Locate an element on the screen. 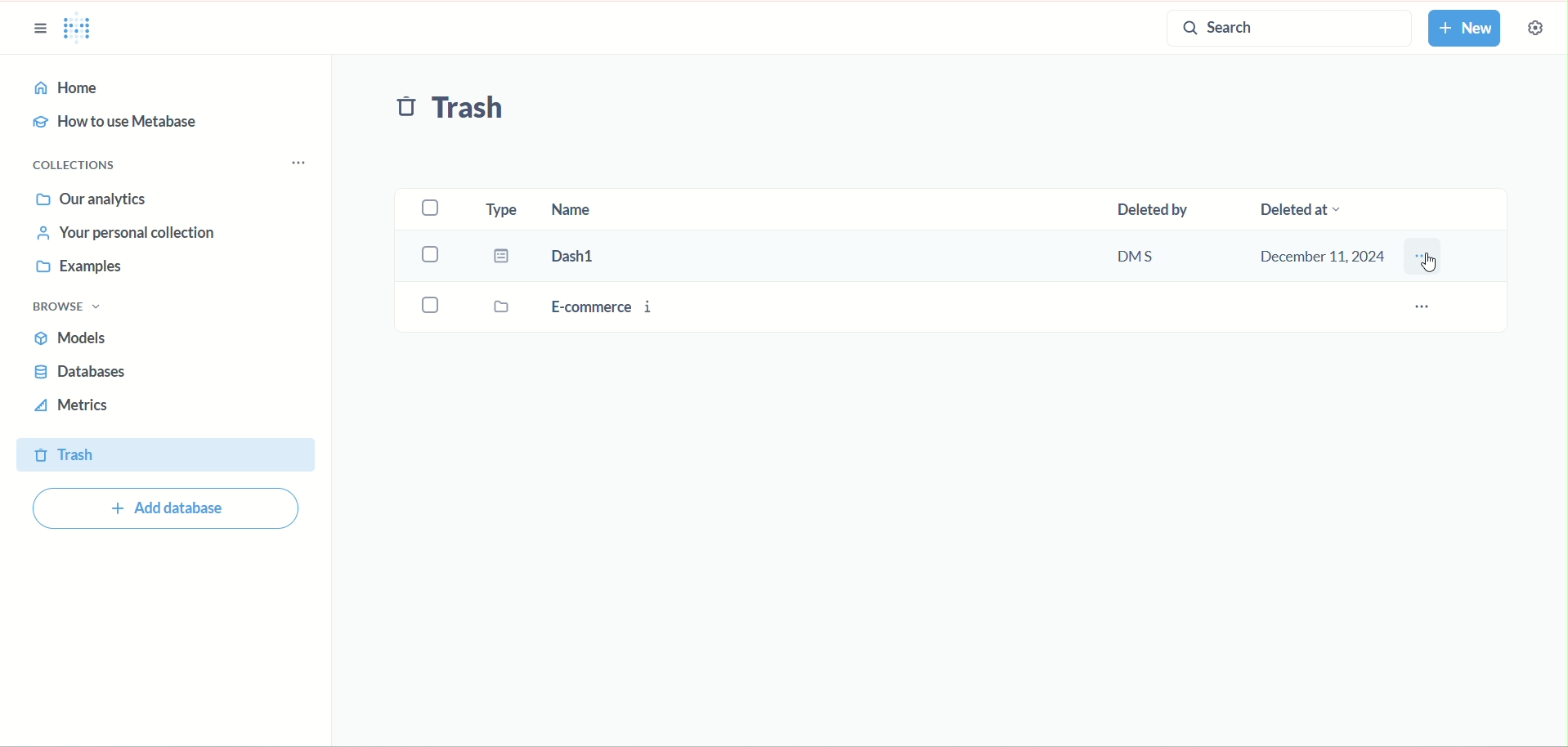  models is located at coordinates (75, 340).